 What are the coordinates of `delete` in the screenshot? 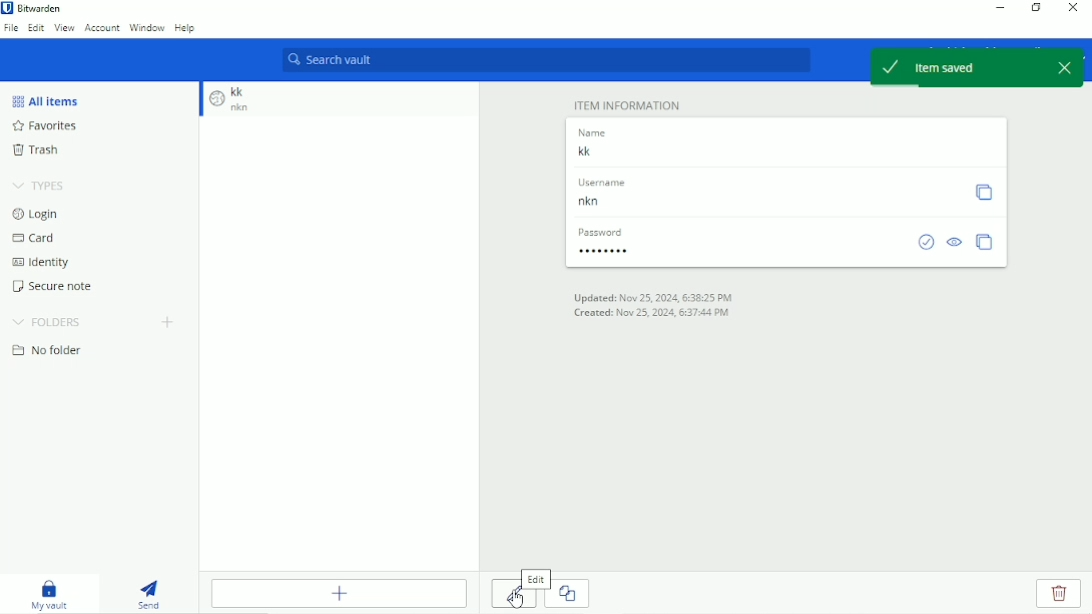 It's located at (1058, 593).